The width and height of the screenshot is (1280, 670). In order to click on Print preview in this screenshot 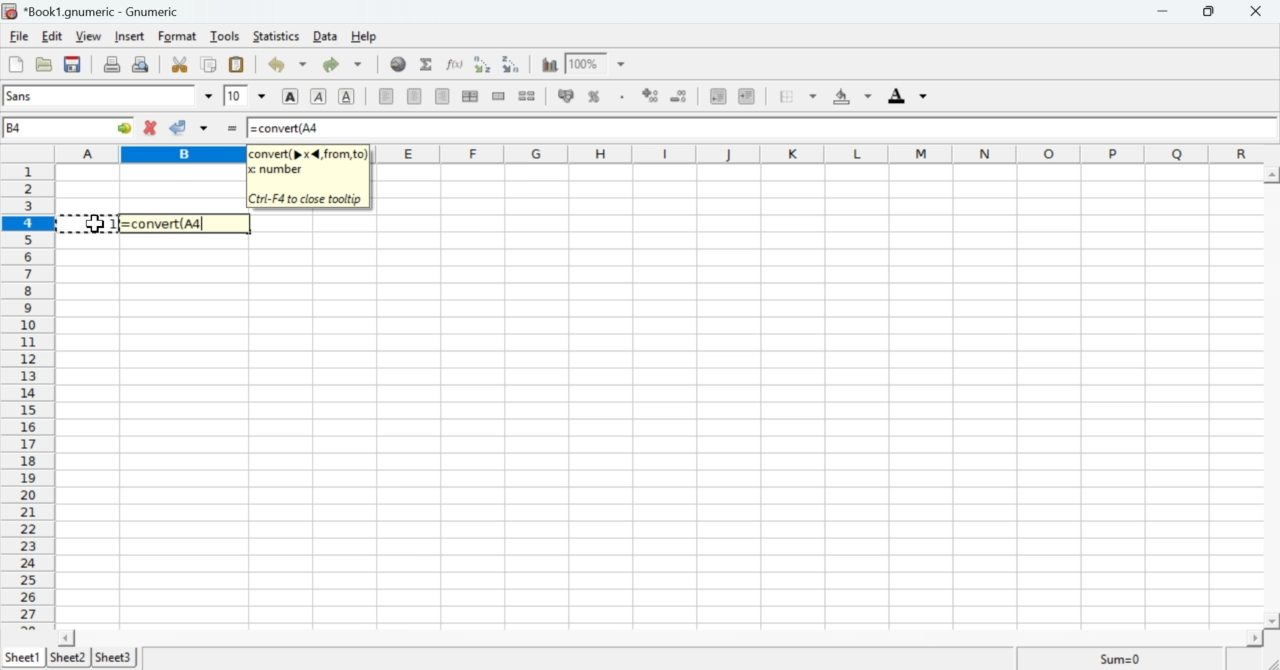, I will do `click(142, 64)`.